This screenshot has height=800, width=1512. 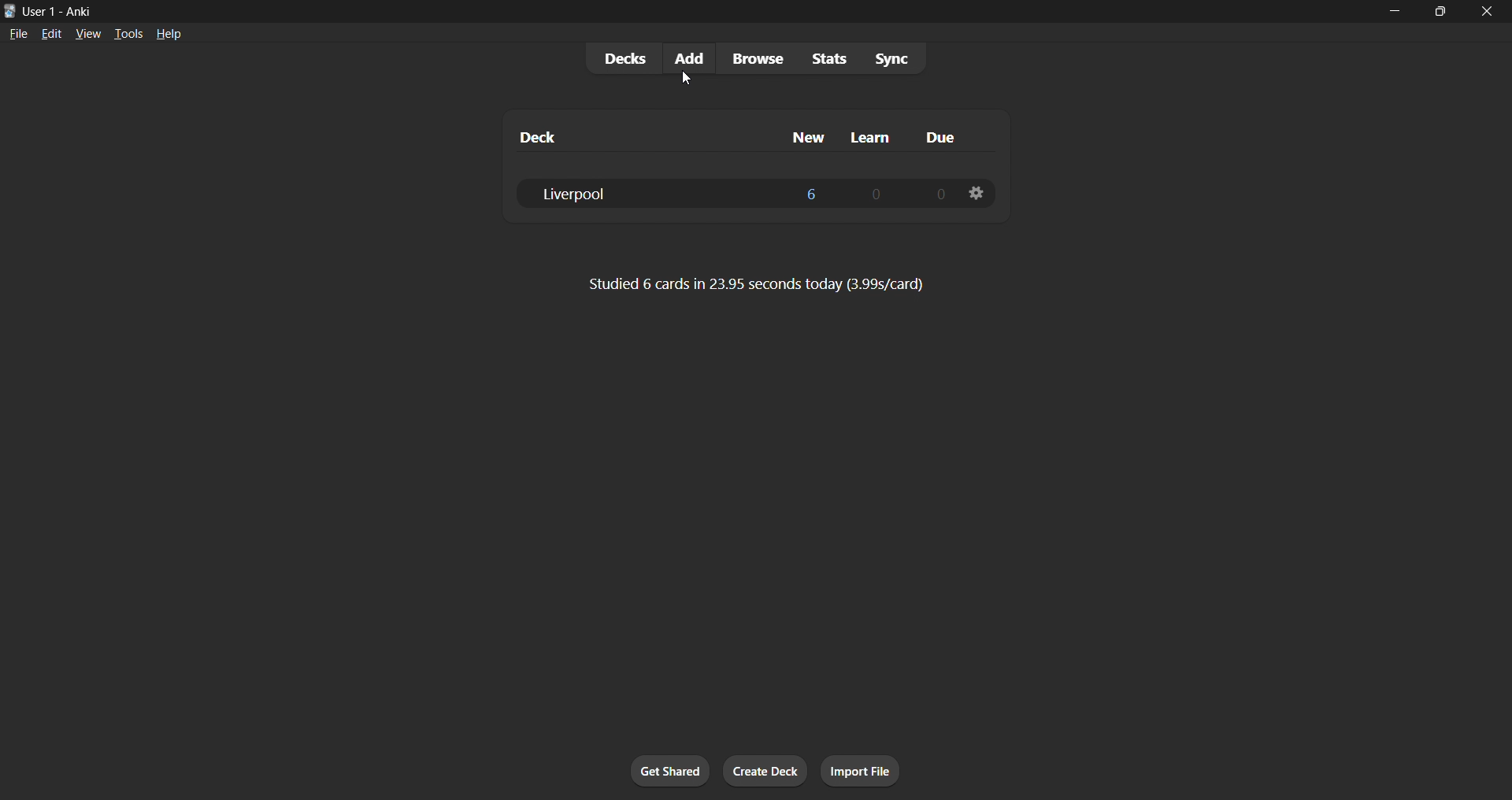 What do you see at coordinates (941, 139) in the screenshot?
I see `due column` at bounding box center [941, 139].